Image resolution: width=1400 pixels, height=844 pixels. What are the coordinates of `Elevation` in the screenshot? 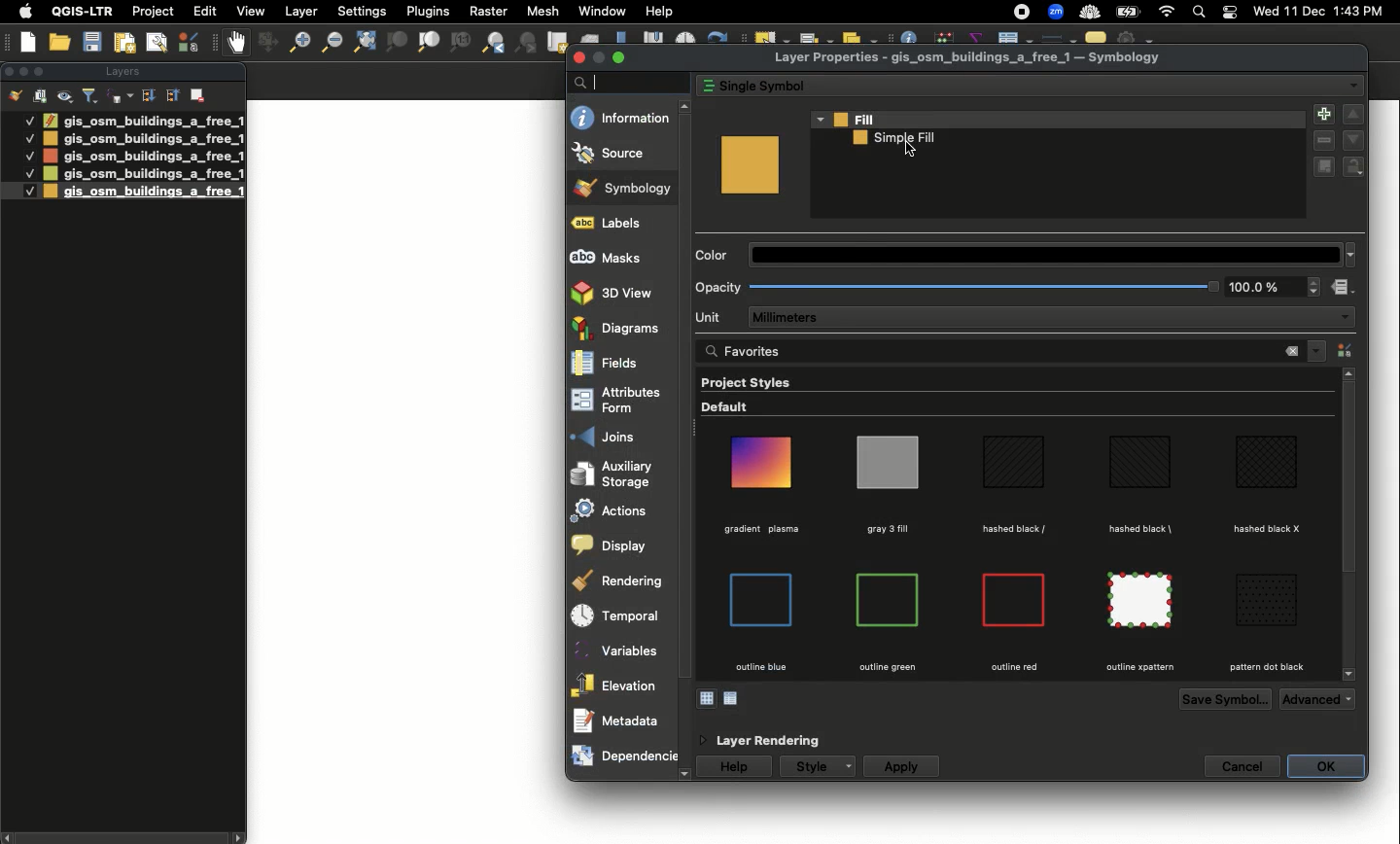 It's located at (620, 686).